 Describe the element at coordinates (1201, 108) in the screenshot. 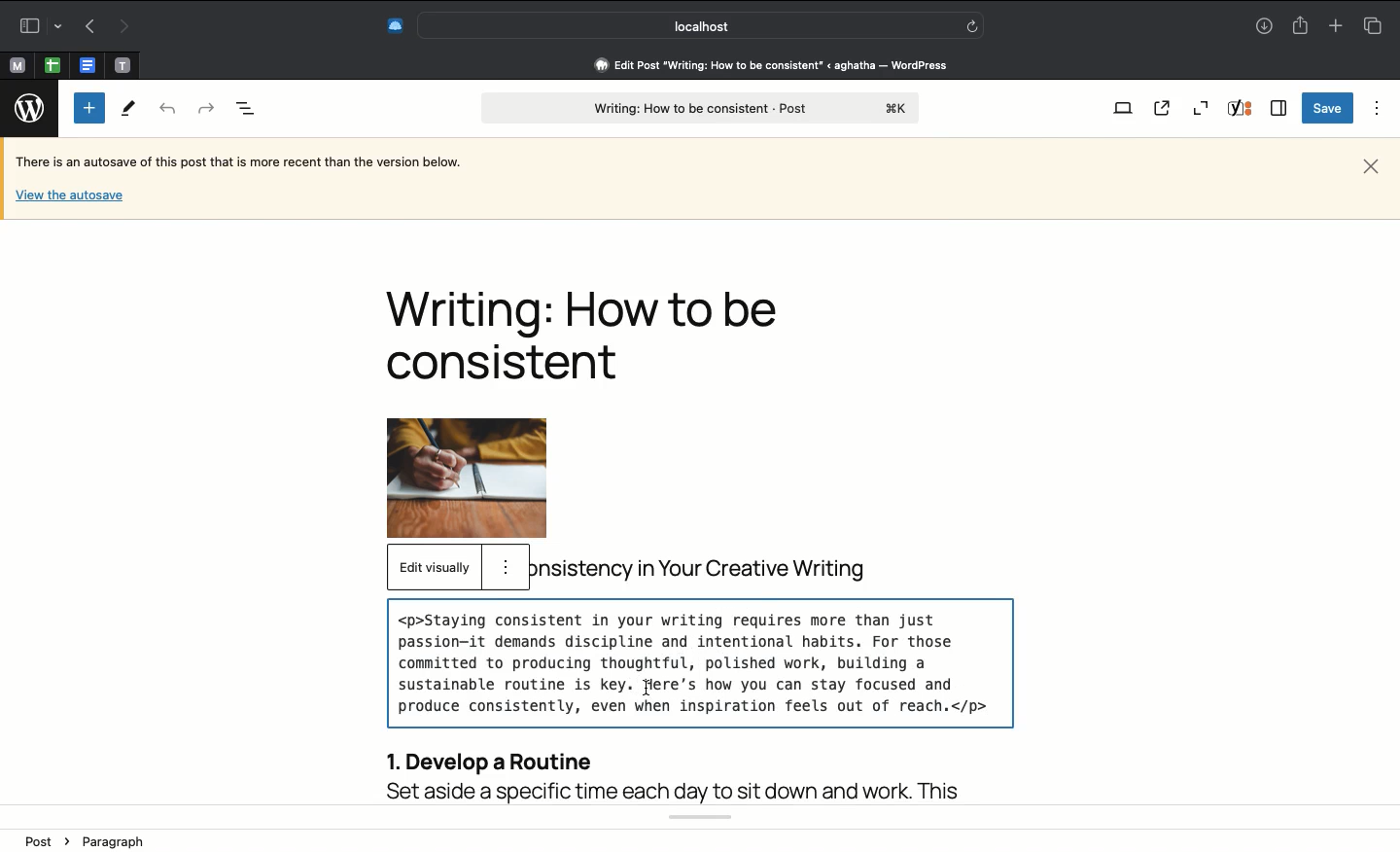

I see `Zoom out` at that location.